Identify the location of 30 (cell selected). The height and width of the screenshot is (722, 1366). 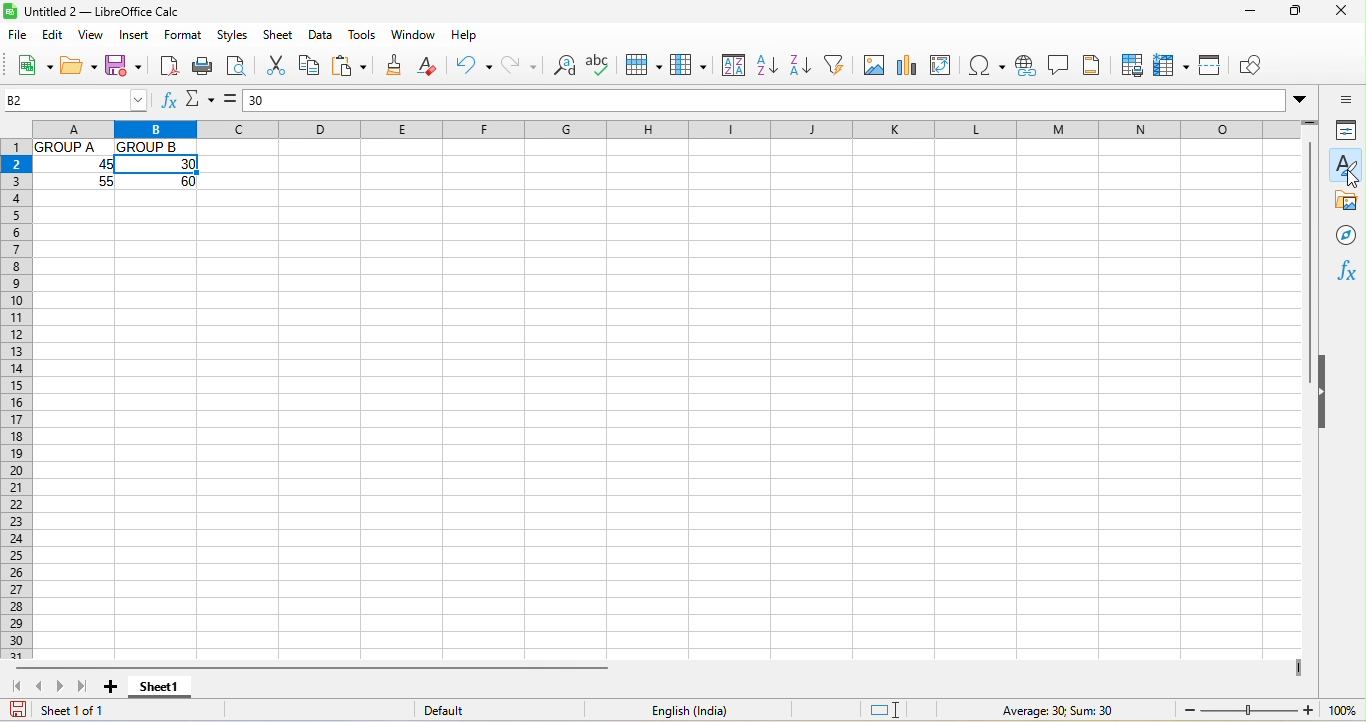
(160, 165).